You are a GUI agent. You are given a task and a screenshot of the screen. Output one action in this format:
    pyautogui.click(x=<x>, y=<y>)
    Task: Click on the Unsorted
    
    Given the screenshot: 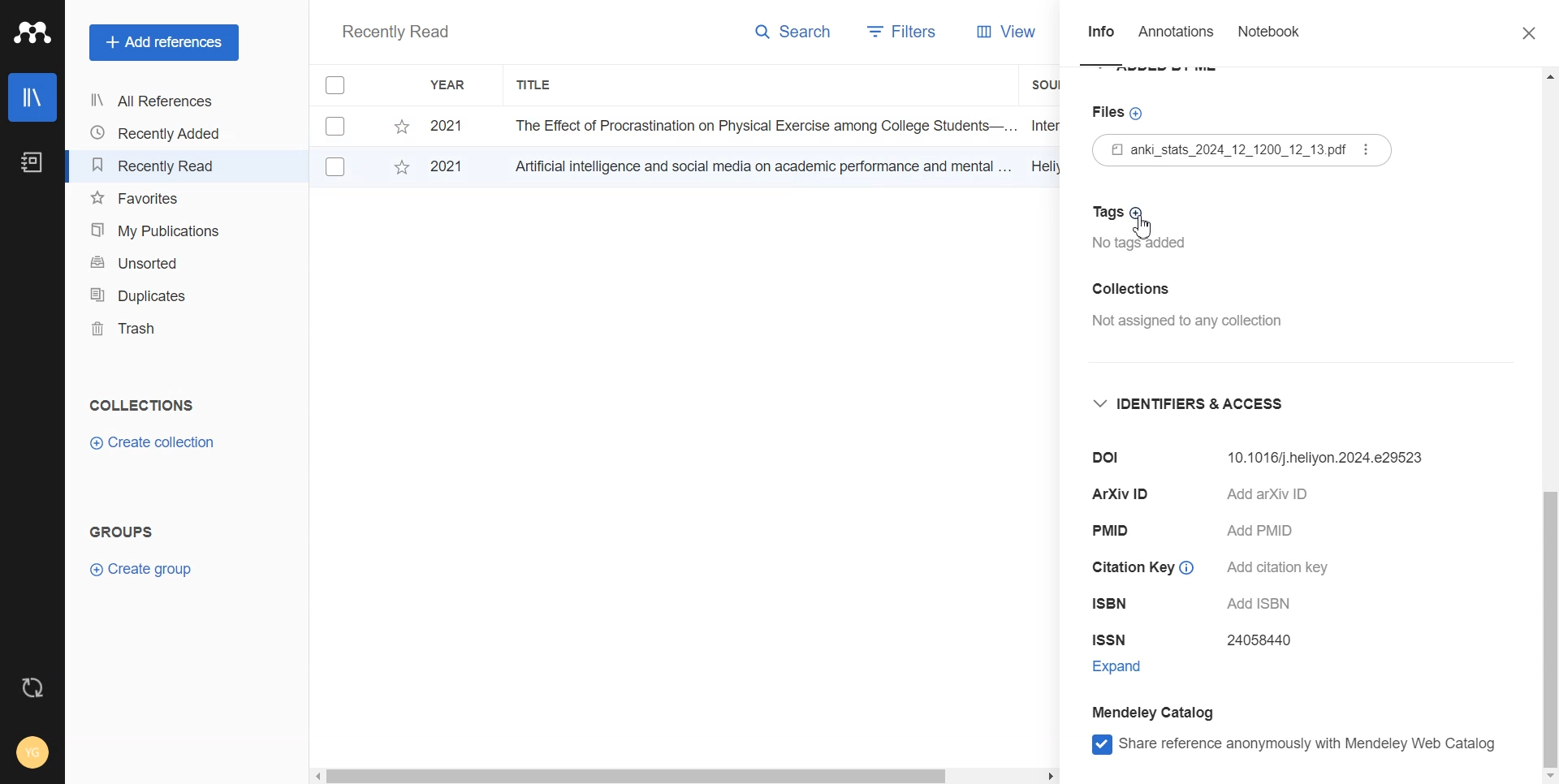 What is the action you would take?
    pyautogui.click(x=160, y=261)
    